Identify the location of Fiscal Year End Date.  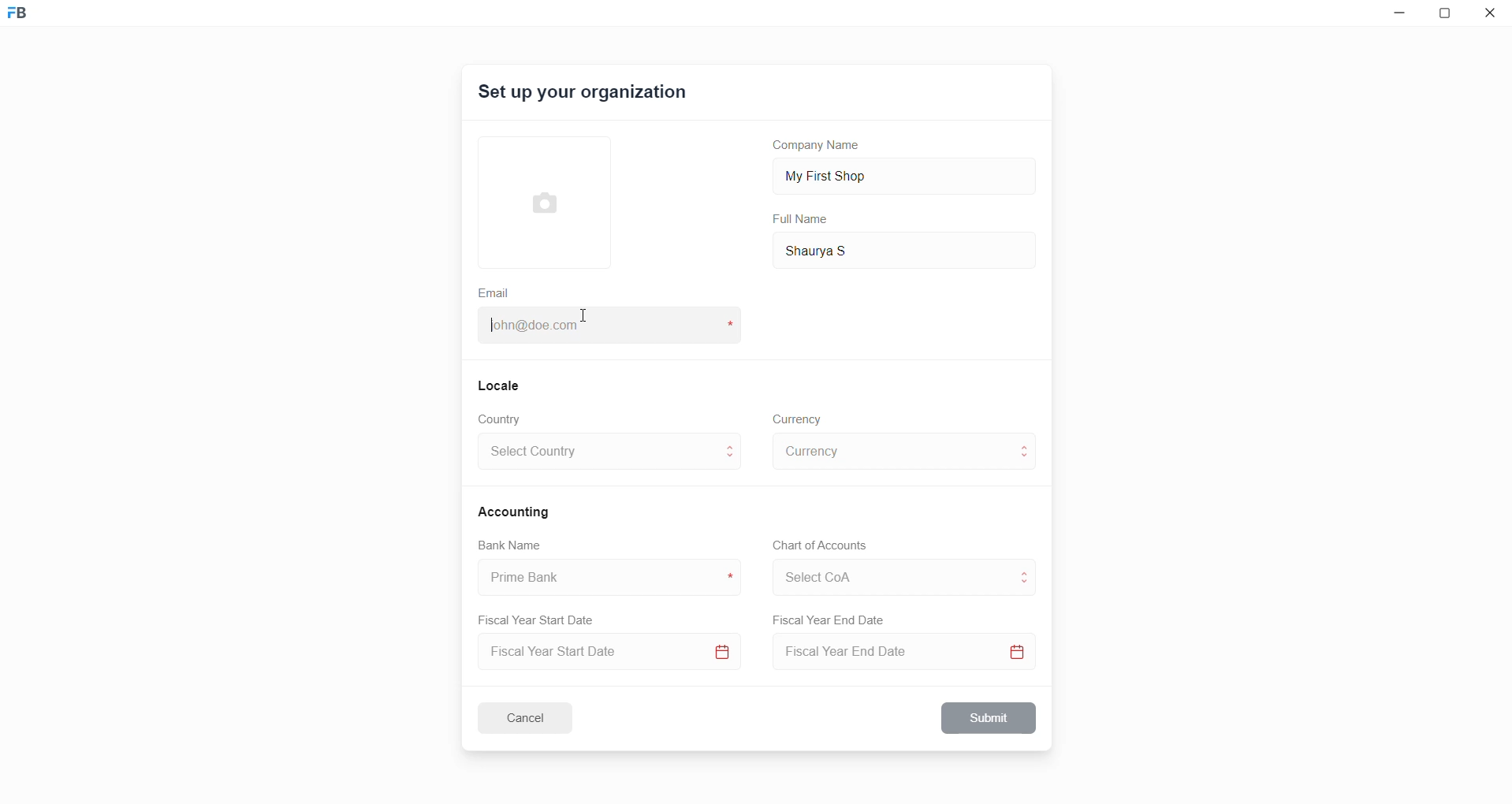
(830, 620).